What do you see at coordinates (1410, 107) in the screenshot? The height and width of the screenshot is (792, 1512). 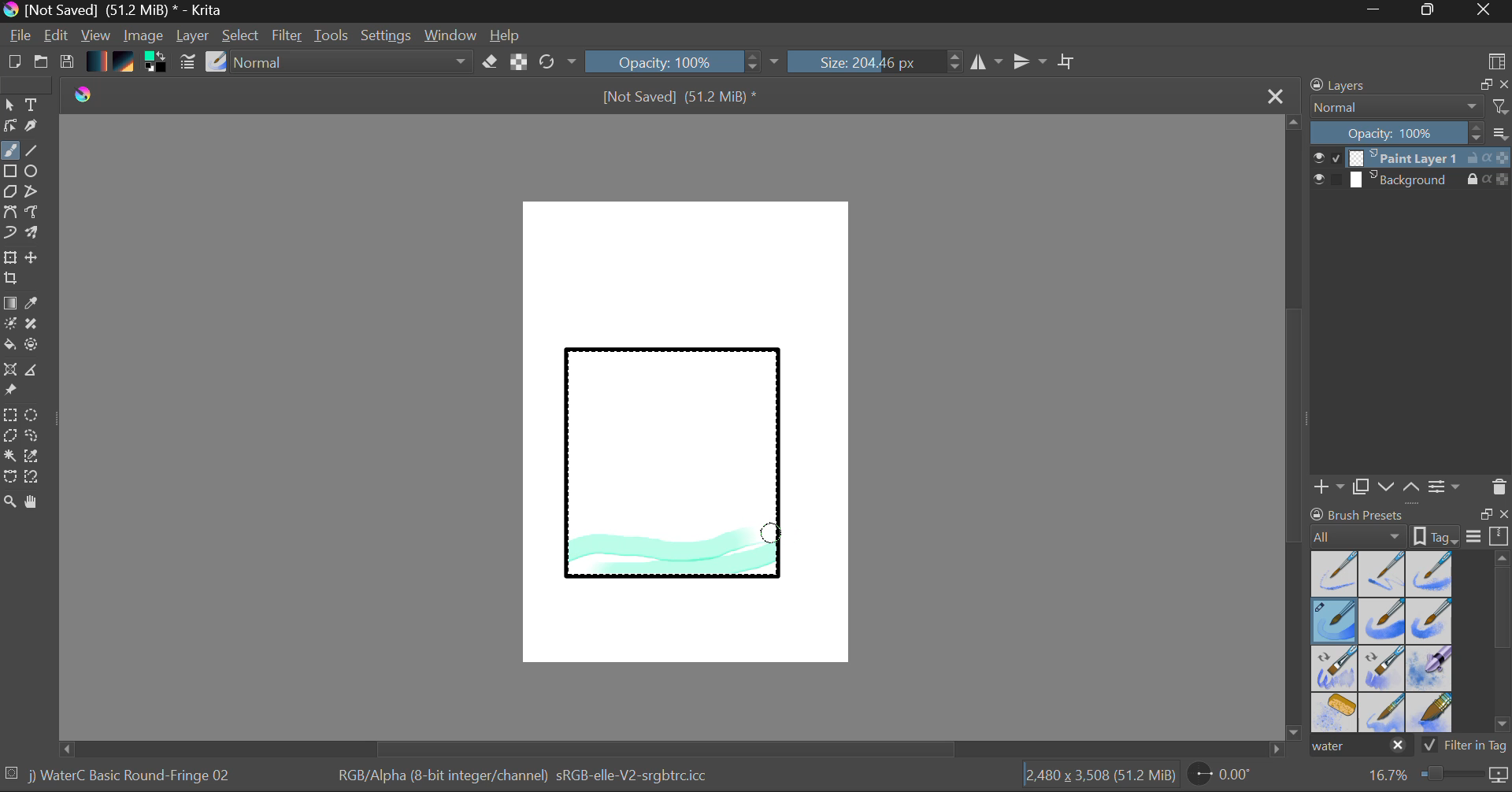 I see `Blending Mode` at bounding box center [1410, 107].